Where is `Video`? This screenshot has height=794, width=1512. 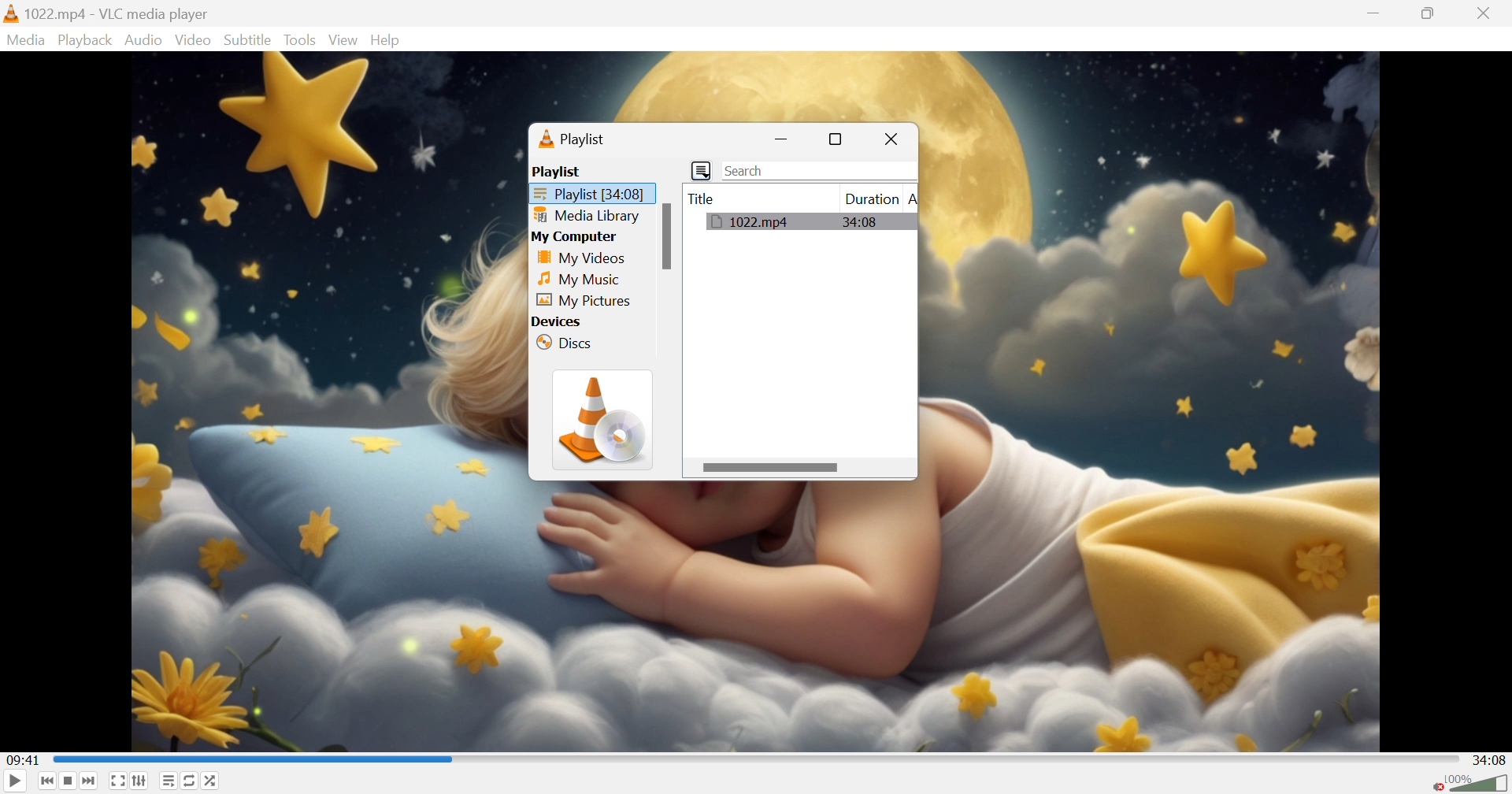
Video is located at coordinates (346, 41).